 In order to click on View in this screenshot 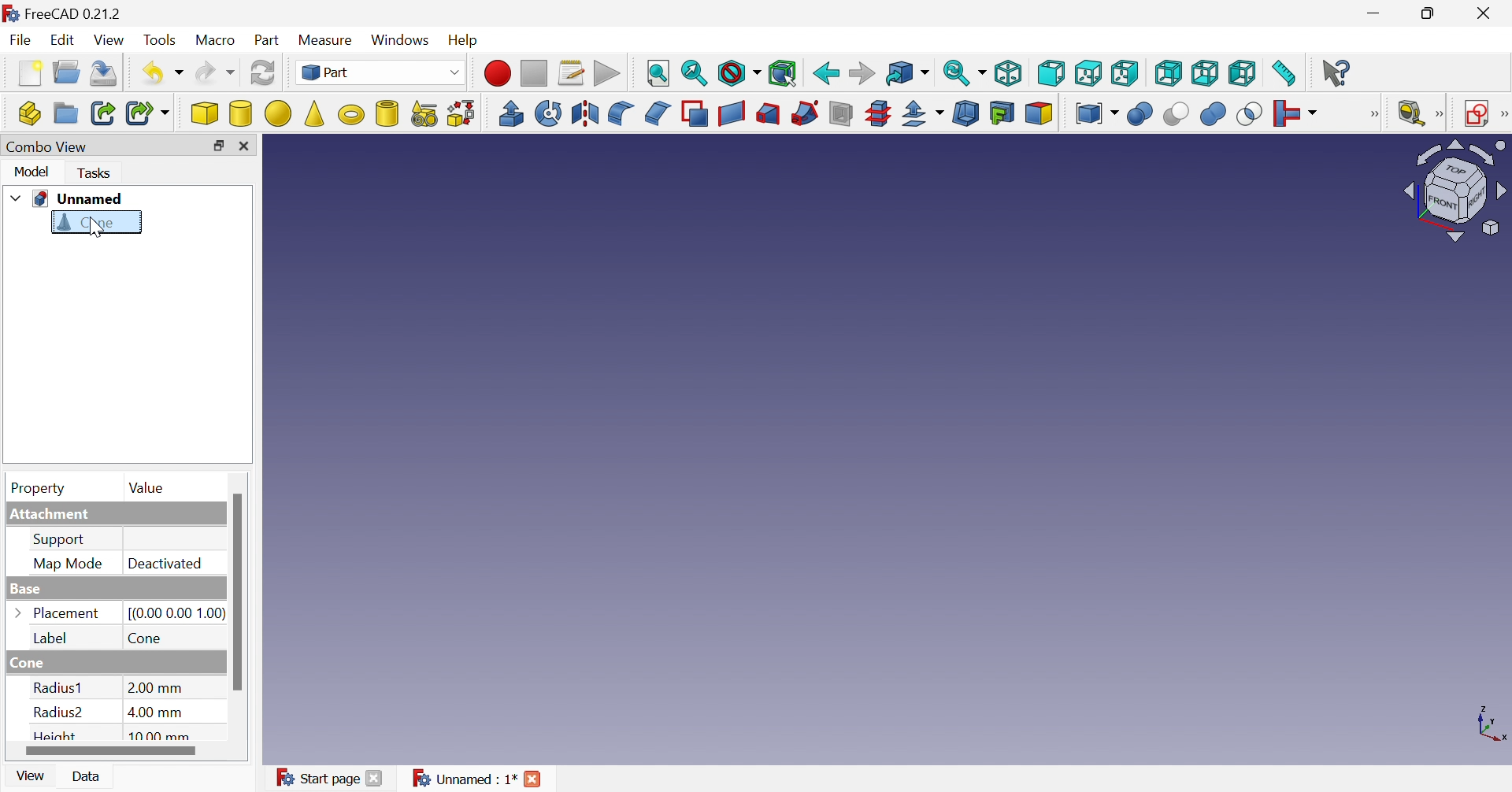, I will do `click(113, 39)`.